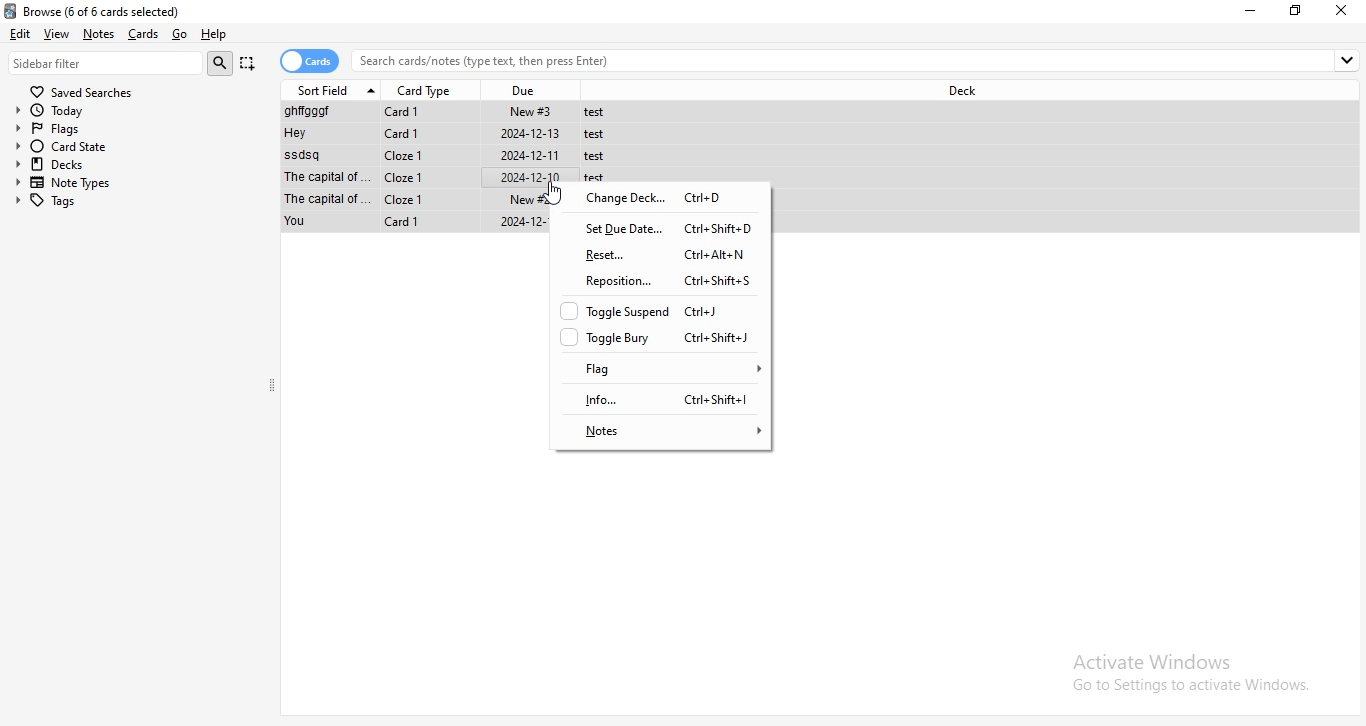 This screenshot has height=726, width=1366. Describe the element at coordinates (552, 194) in the screenshot. I see `Cursor` at that location.